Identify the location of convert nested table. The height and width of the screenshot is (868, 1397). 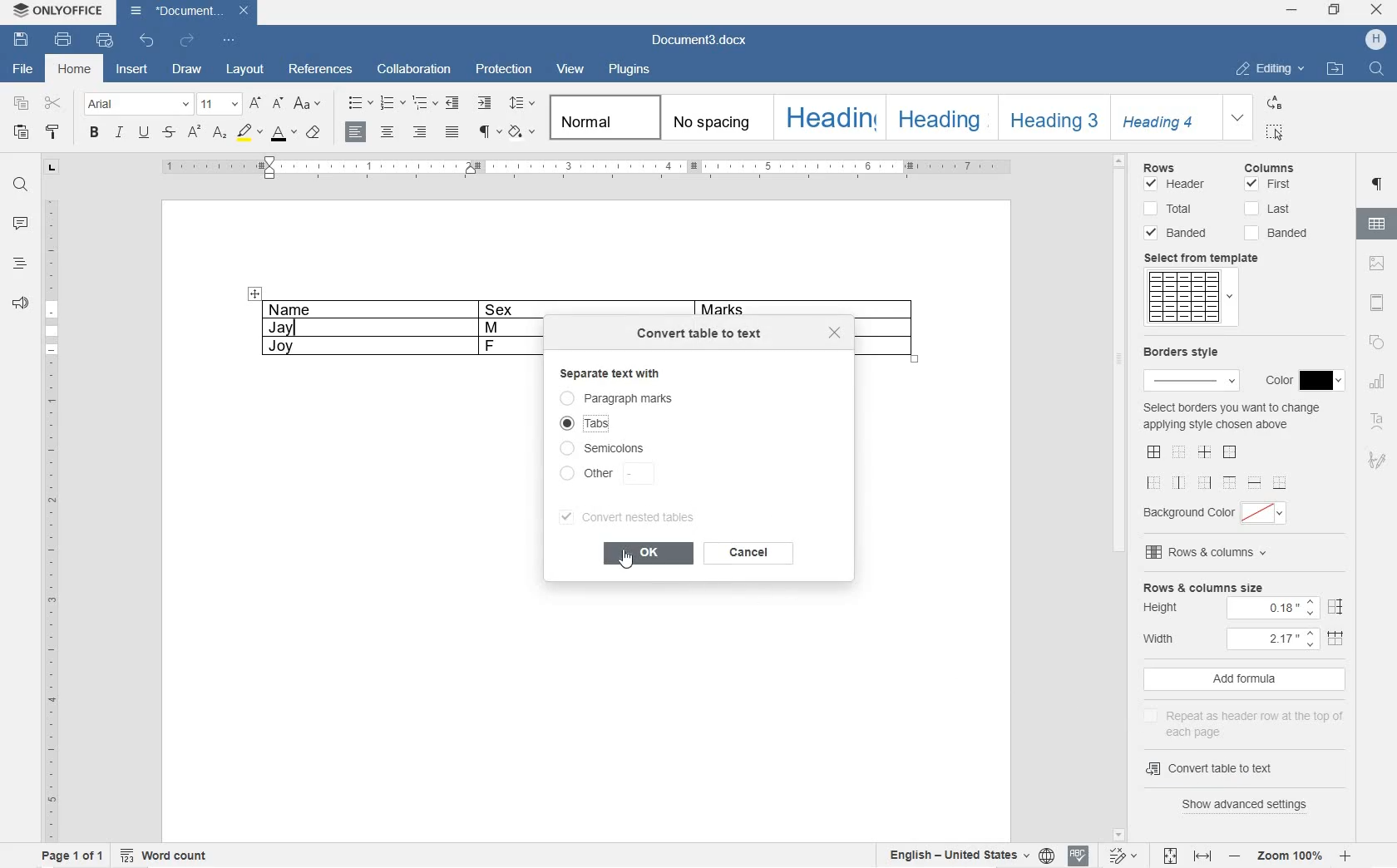
(637, 516).